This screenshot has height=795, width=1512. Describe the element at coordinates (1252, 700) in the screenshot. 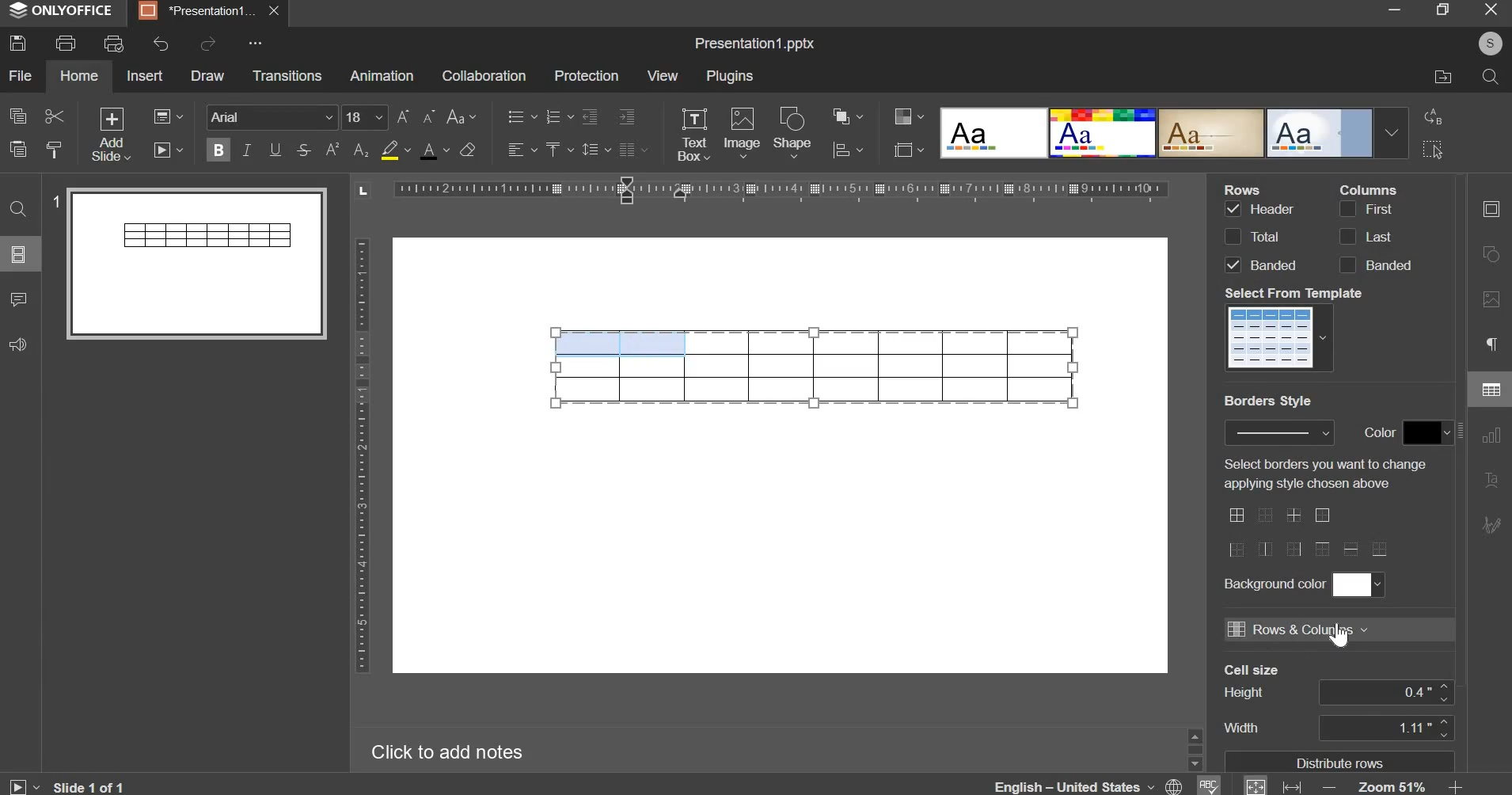

I see `Cell size's column` at that location.